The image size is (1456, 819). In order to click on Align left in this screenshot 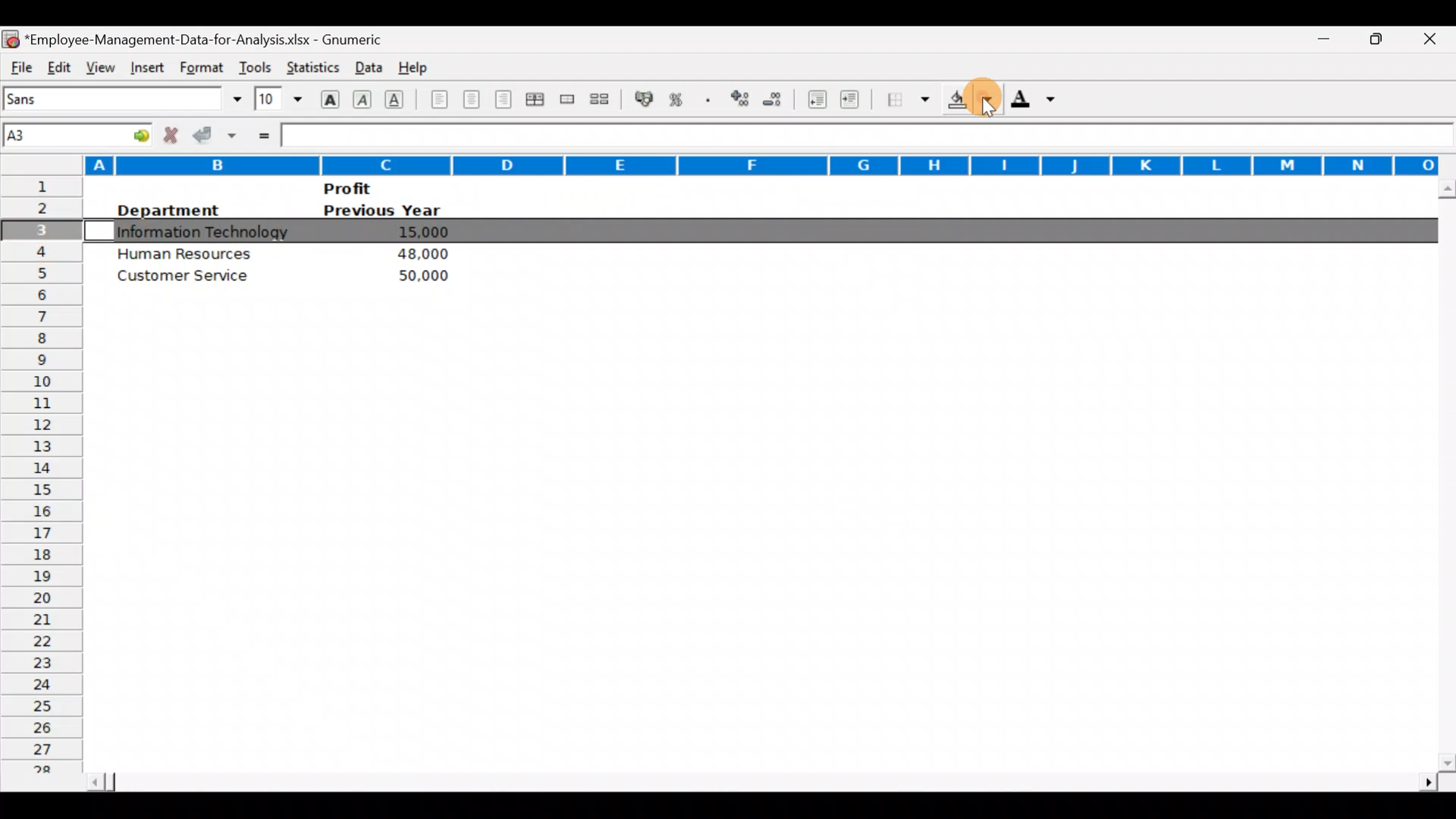, I will do `click(438, 99)`.